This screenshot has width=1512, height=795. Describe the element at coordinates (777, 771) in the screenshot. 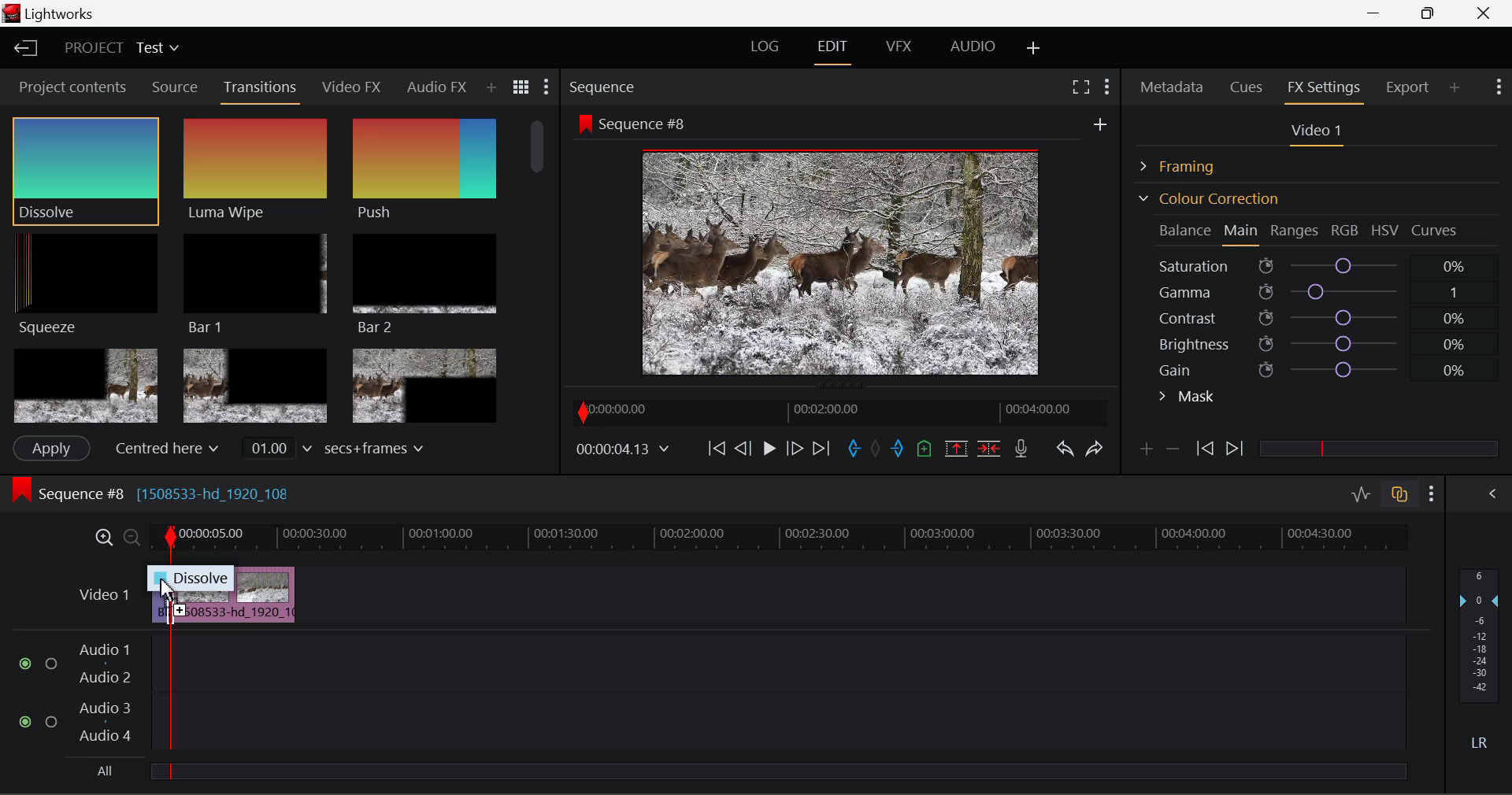

I see `slider` at that location.